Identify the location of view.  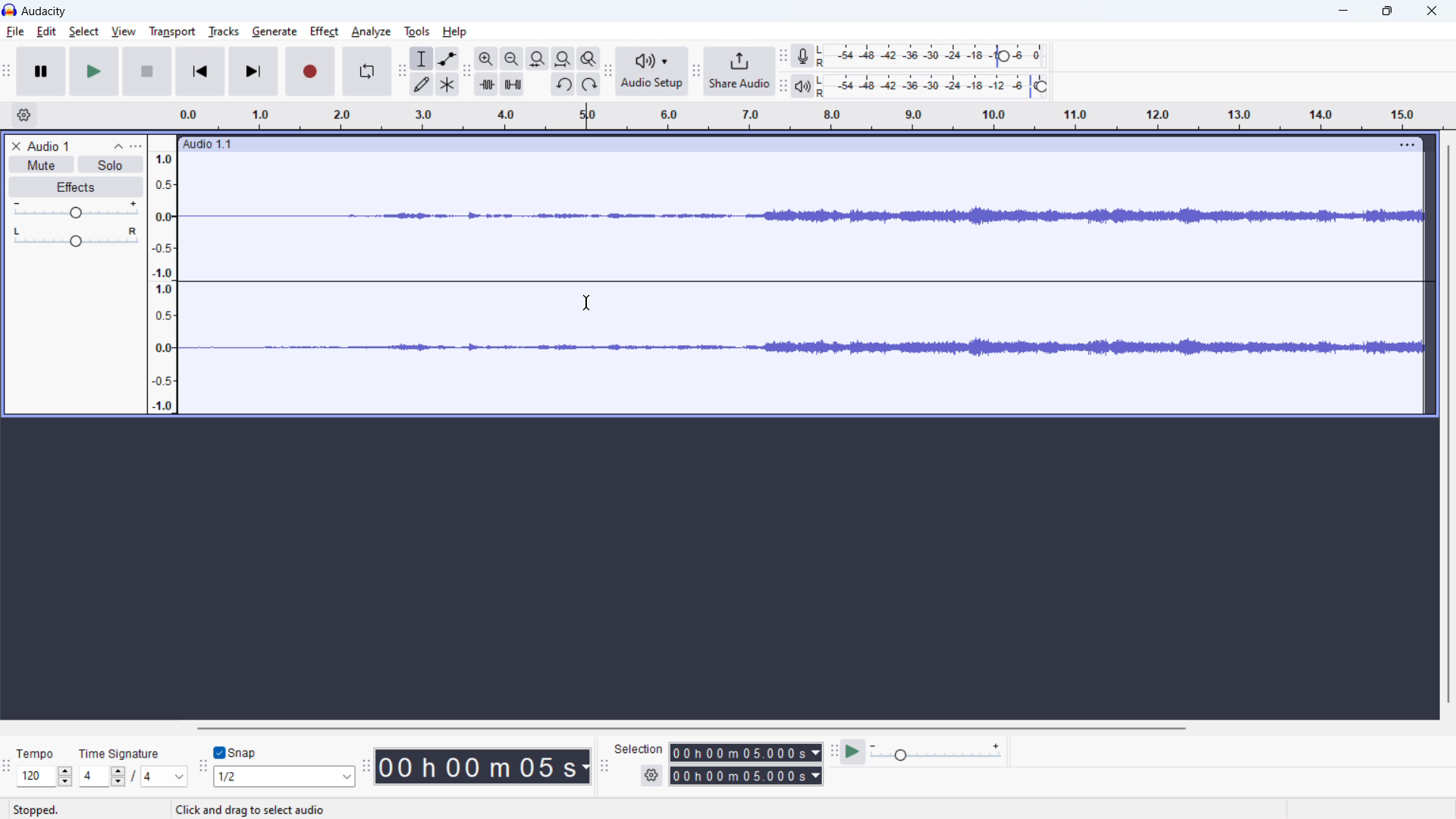
(124, 31).